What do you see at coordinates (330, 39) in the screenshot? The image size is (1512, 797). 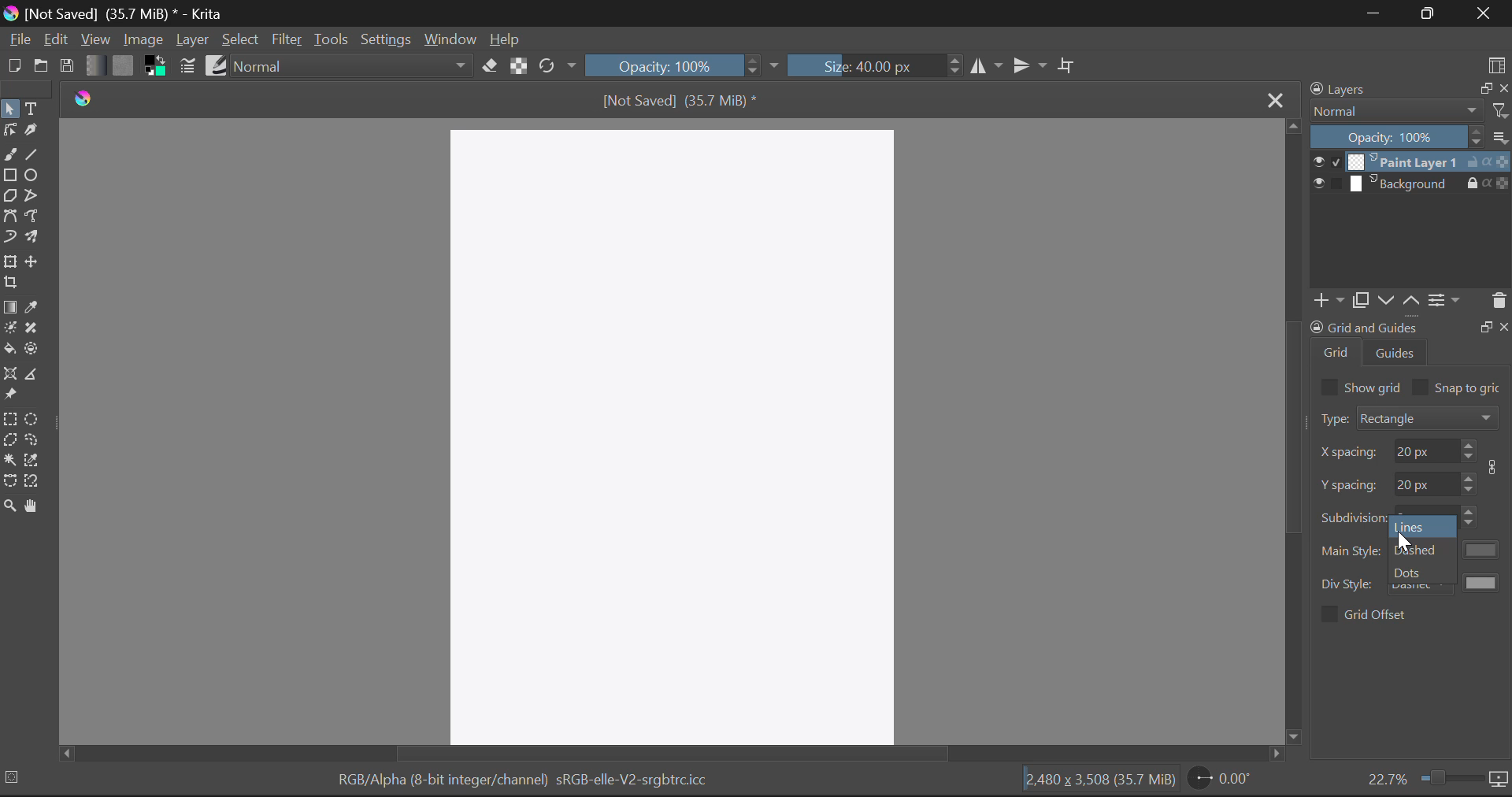 I see `Tools` at bounding box center [330, 39].